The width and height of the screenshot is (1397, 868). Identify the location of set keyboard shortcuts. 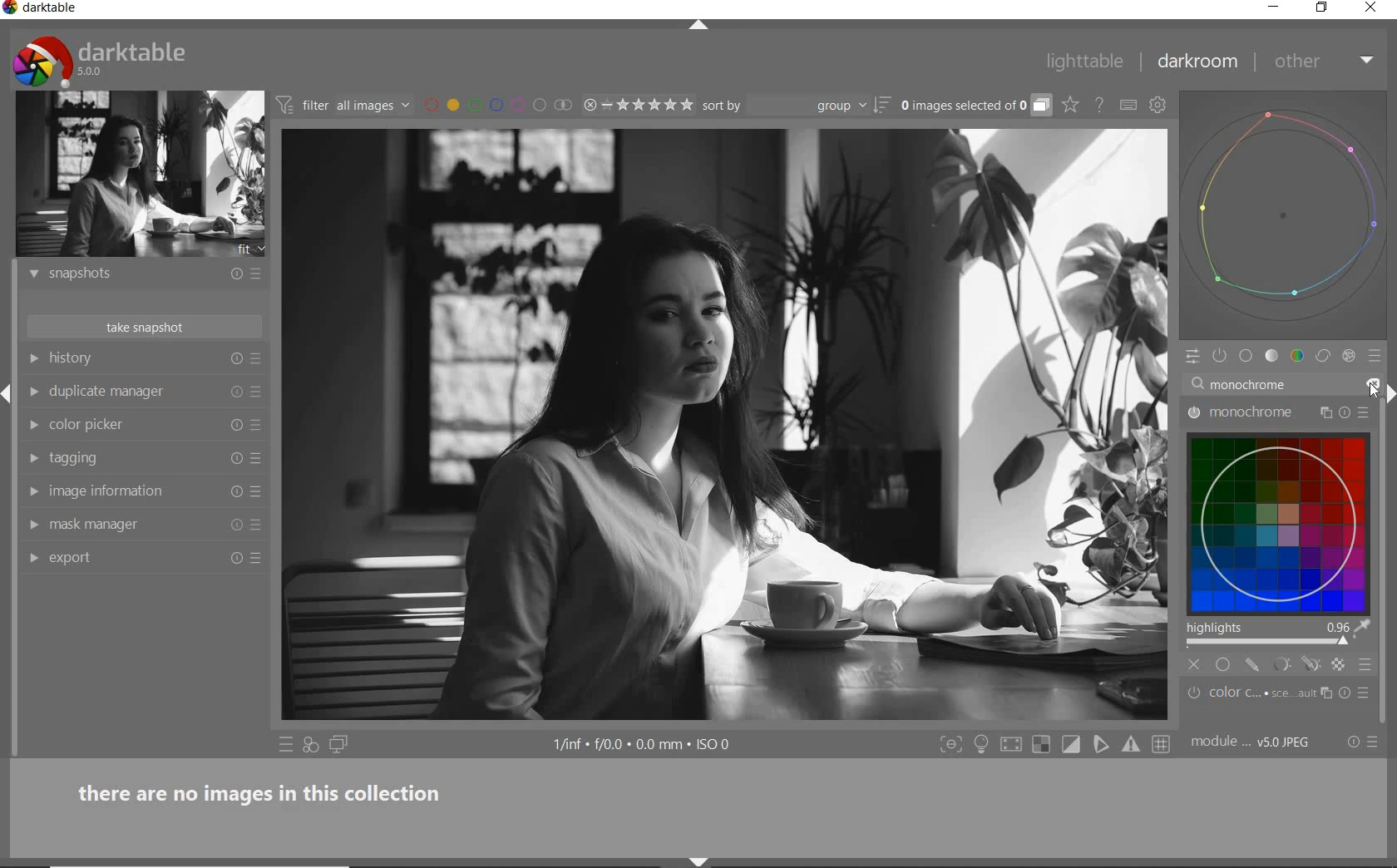
(1128, 105).